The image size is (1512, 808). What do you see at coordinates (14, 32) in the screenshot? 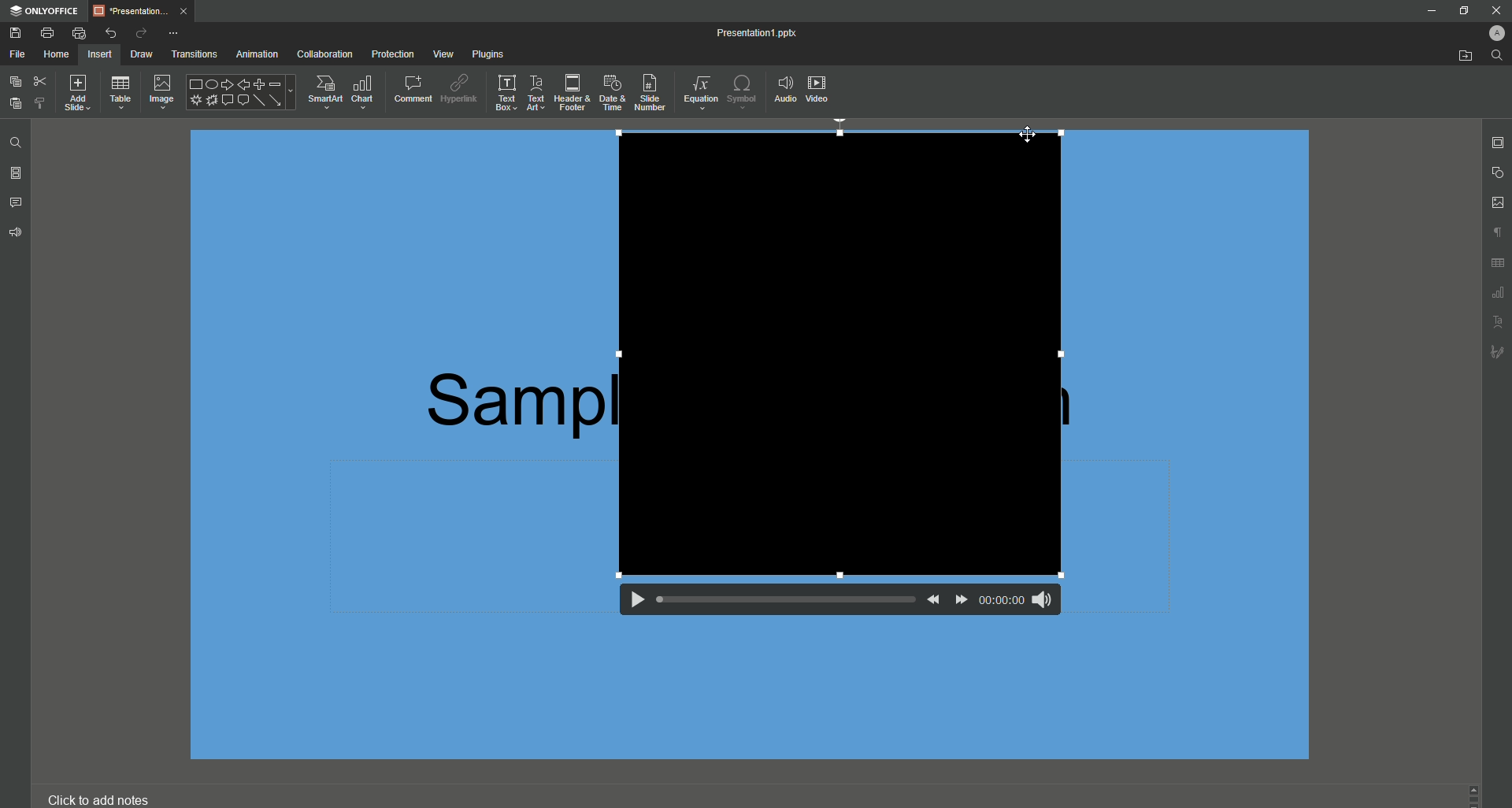
I see `Save` at bounding box center [14, 32].